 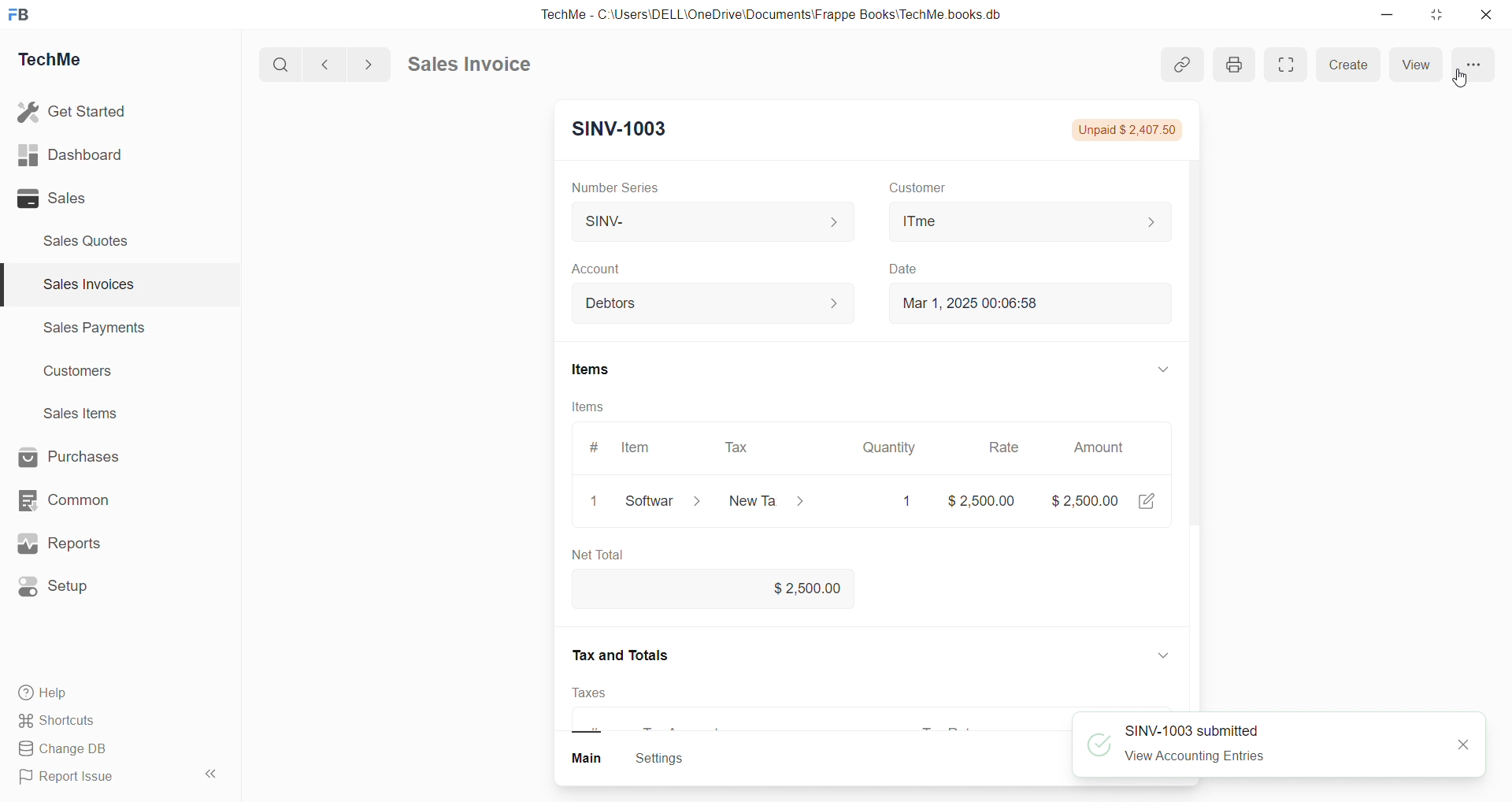 What do you see at coordinates (1356, 61) in the screenshot?
I see `more option` at bounding box center [1356, 61].